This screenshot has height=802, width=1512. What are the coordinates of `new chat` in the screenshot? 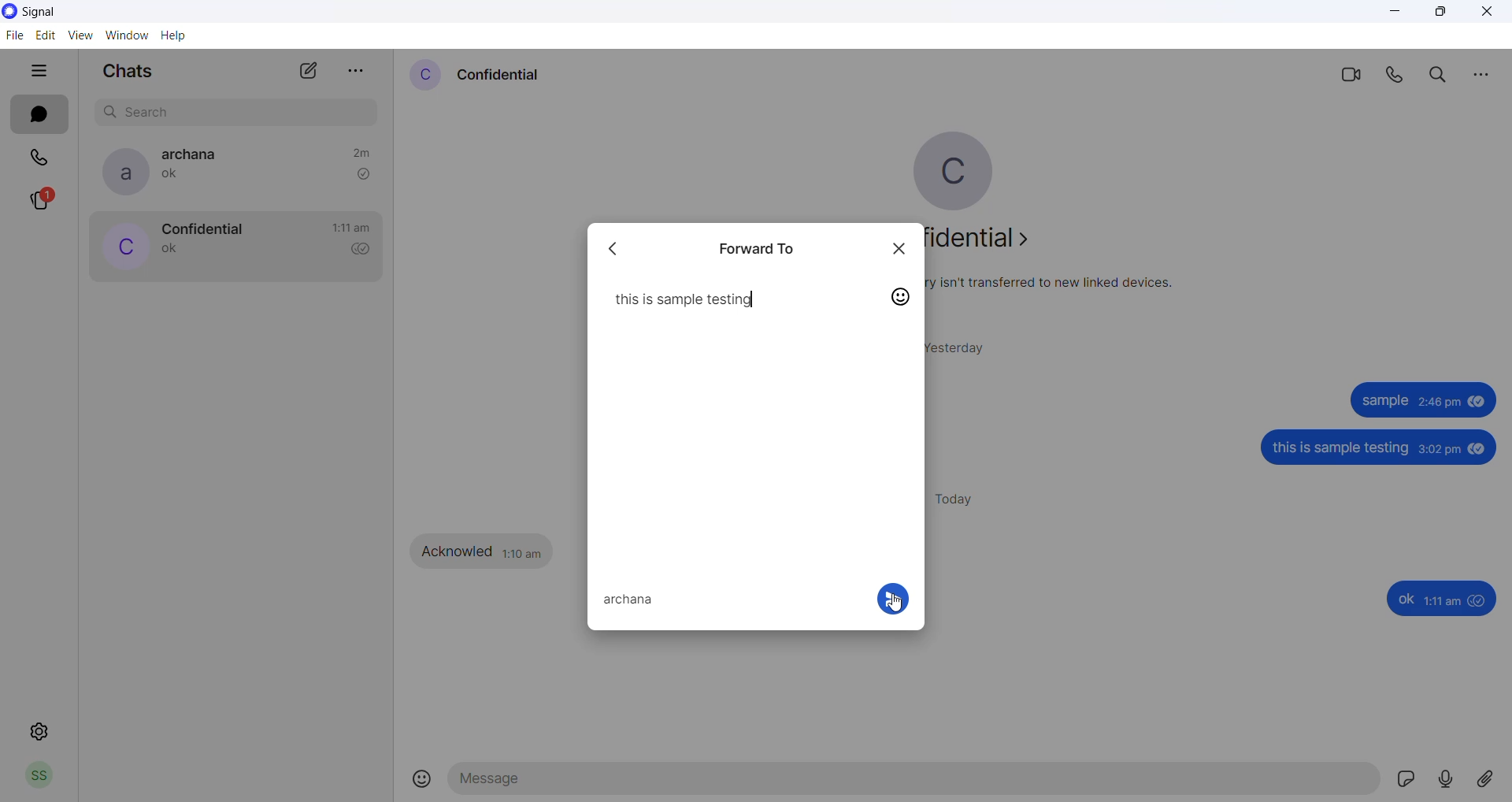 It's located at (309, 75).